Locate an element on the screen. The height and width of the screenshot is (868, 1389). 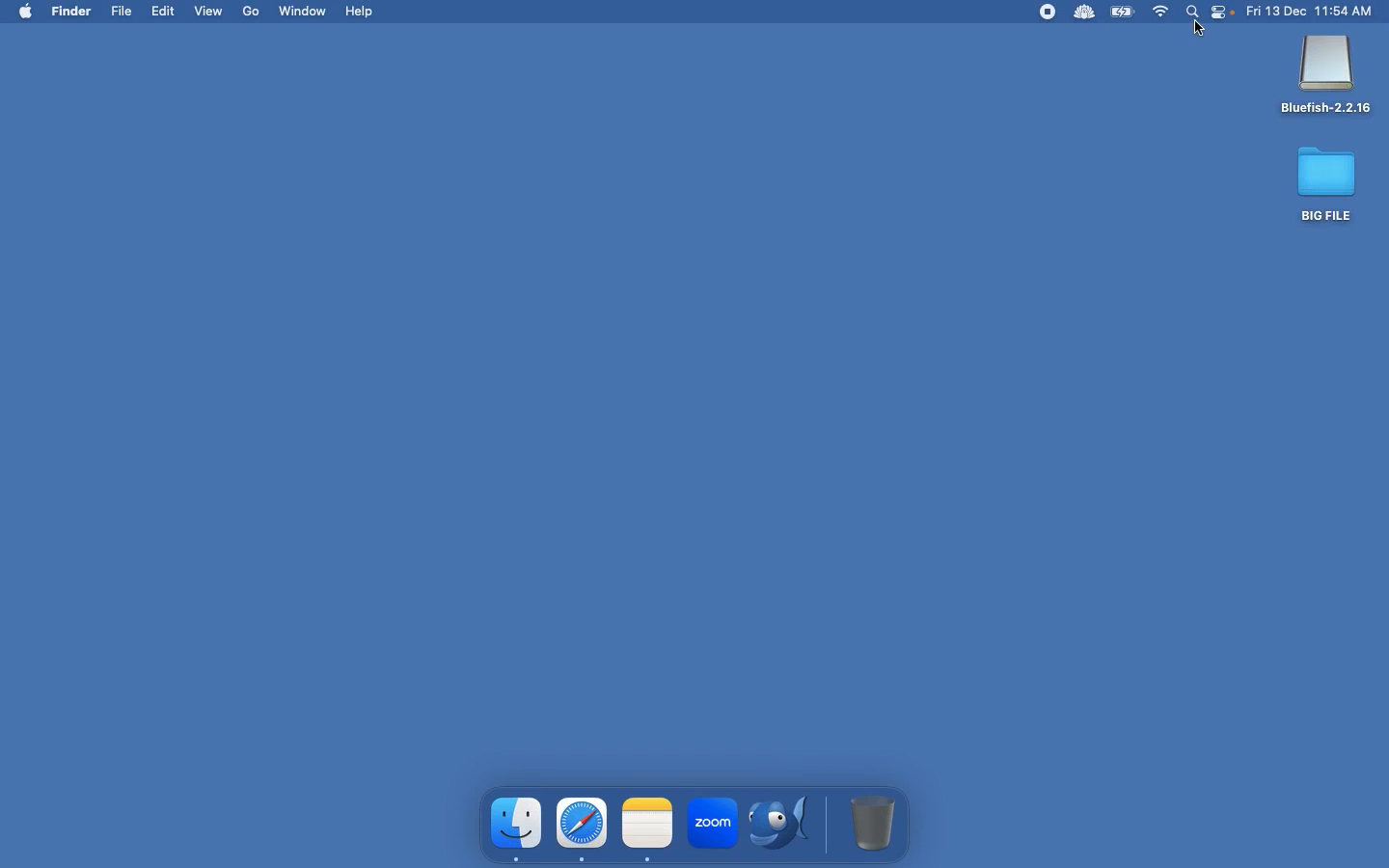
Window is located at coordinates (304, 11).